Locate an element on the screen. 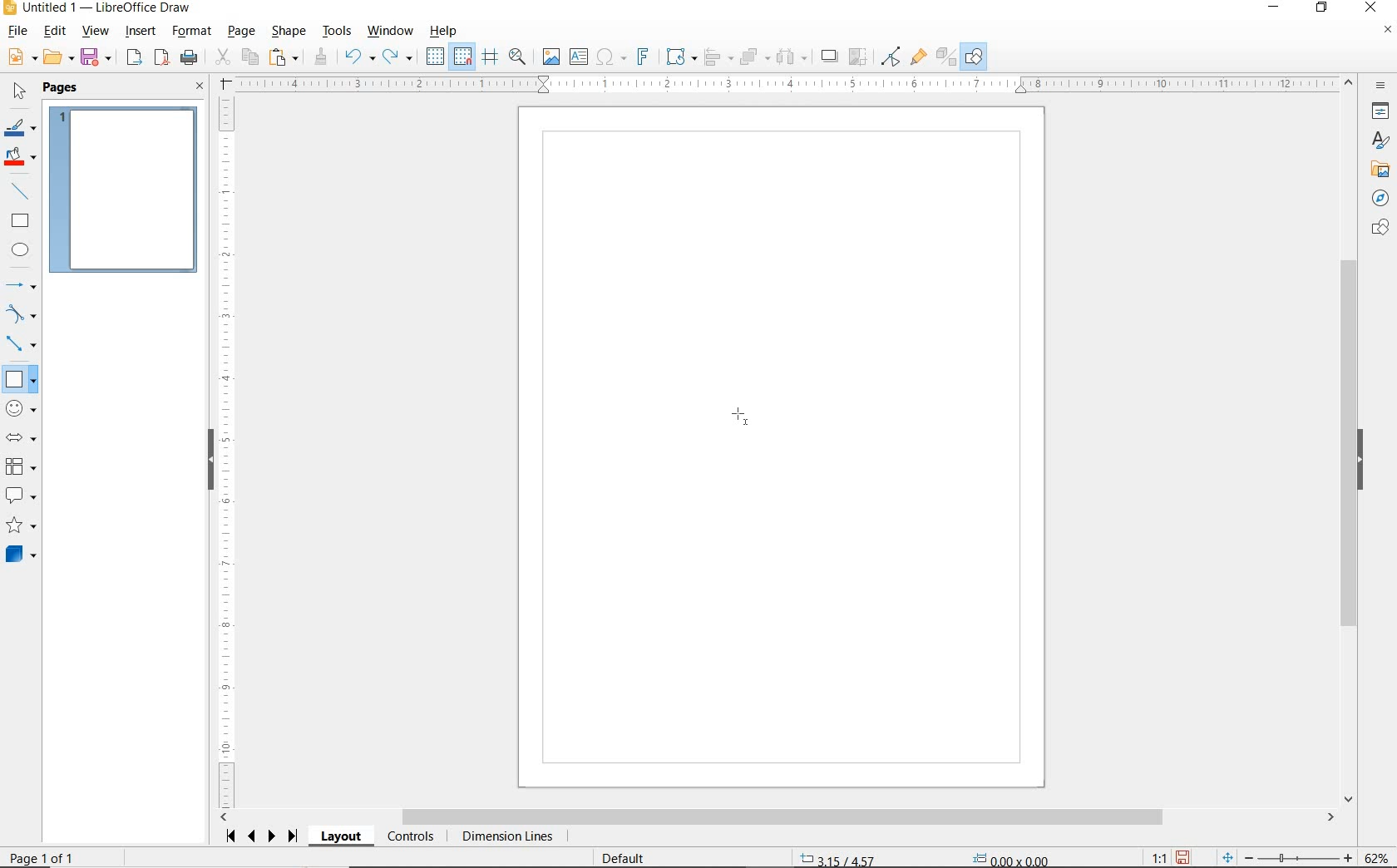 Image resolution: width=1397 pixels, height=868 pixels. UNDO is located at coordinates (360, 58).